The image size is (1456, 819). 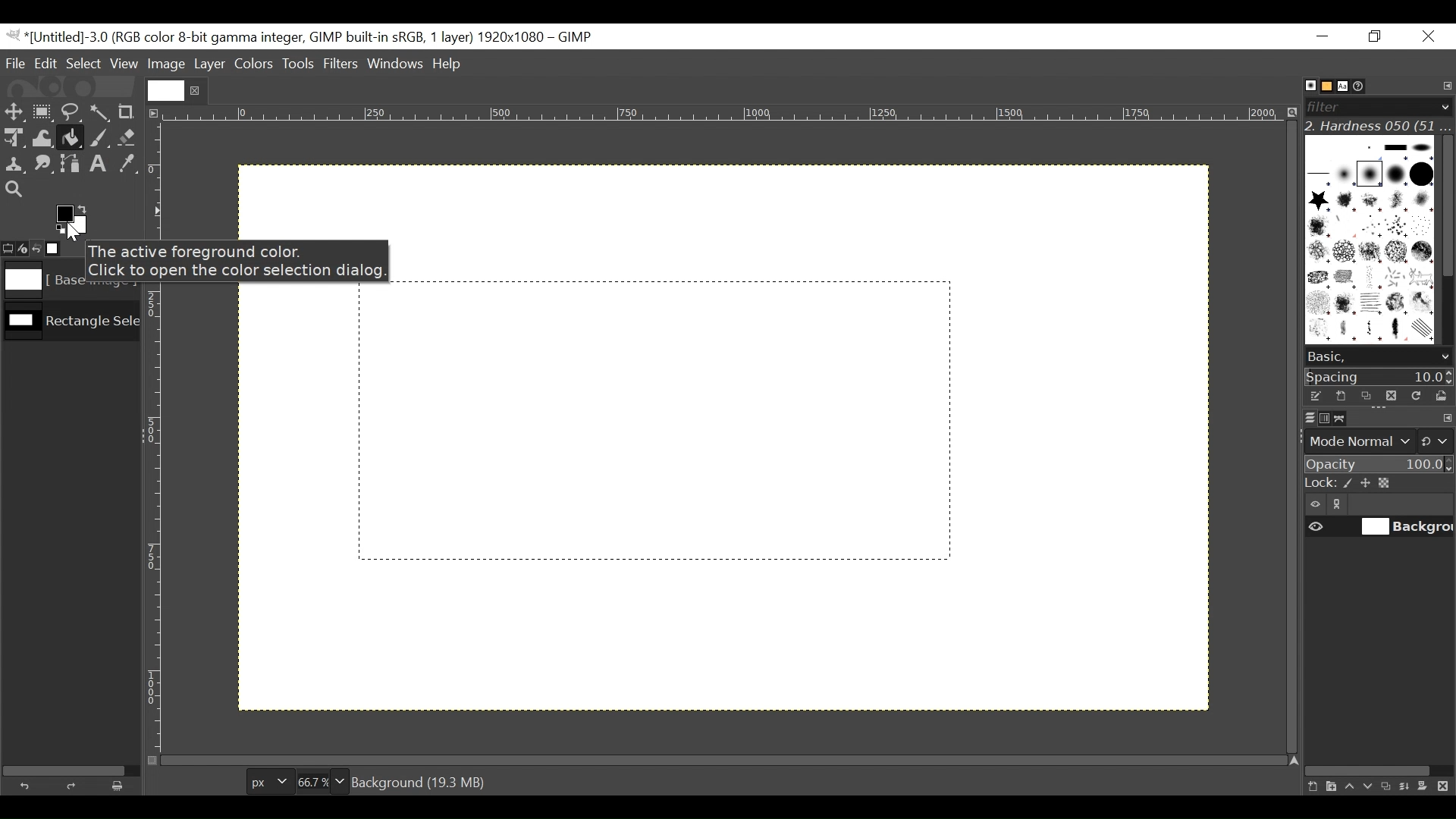 I want to click on close, so click(x=197, y=90).